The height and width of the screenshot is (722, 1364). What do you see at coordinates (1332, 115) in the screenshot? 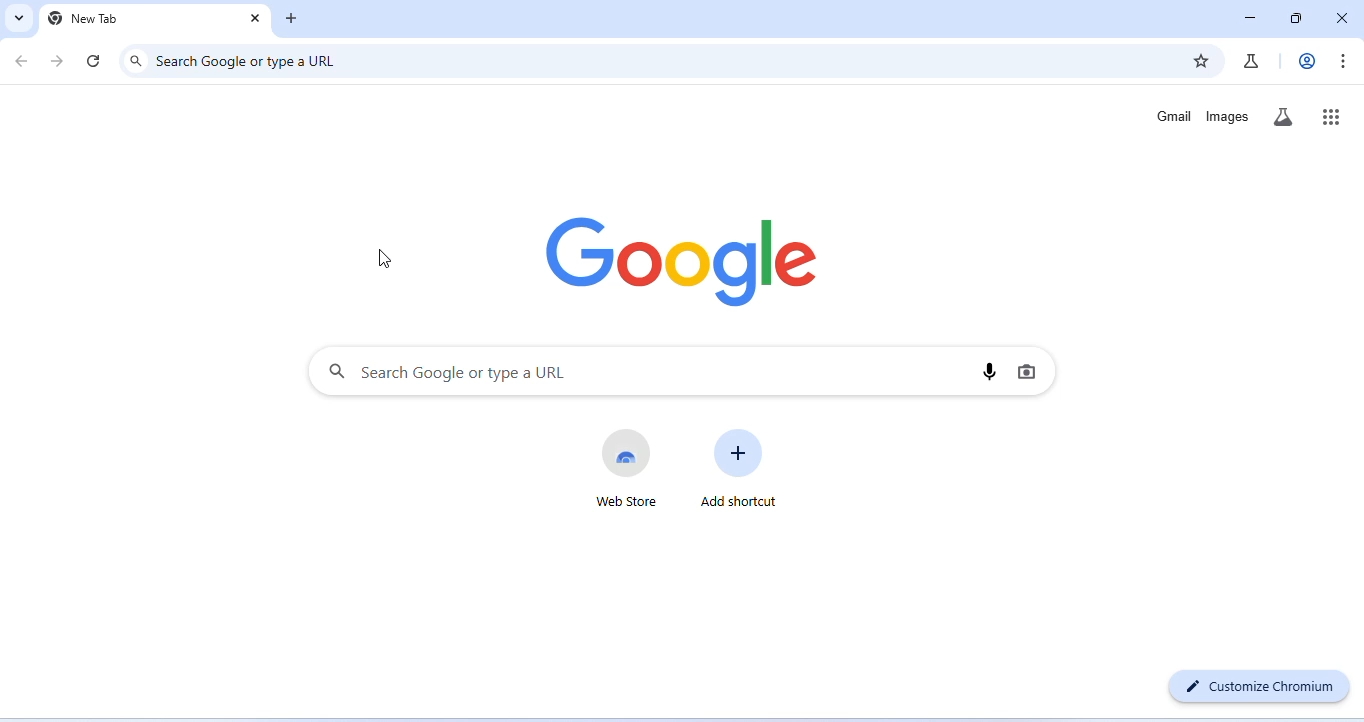
I see `google apps` at bounding box center [1332, 115].